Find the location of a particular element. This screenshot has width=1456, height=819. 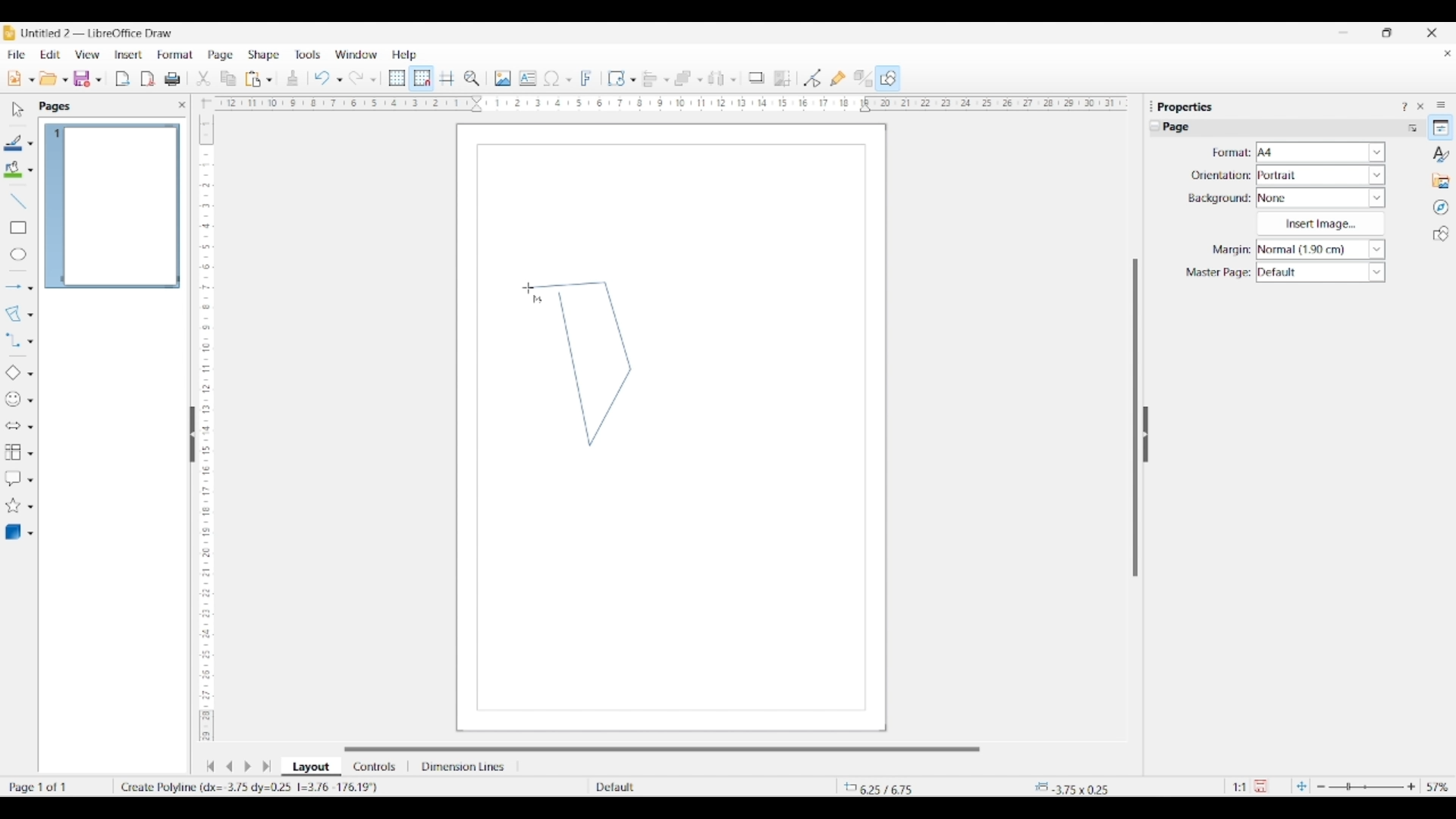

Margin options is located at coordinates (1320, 249).